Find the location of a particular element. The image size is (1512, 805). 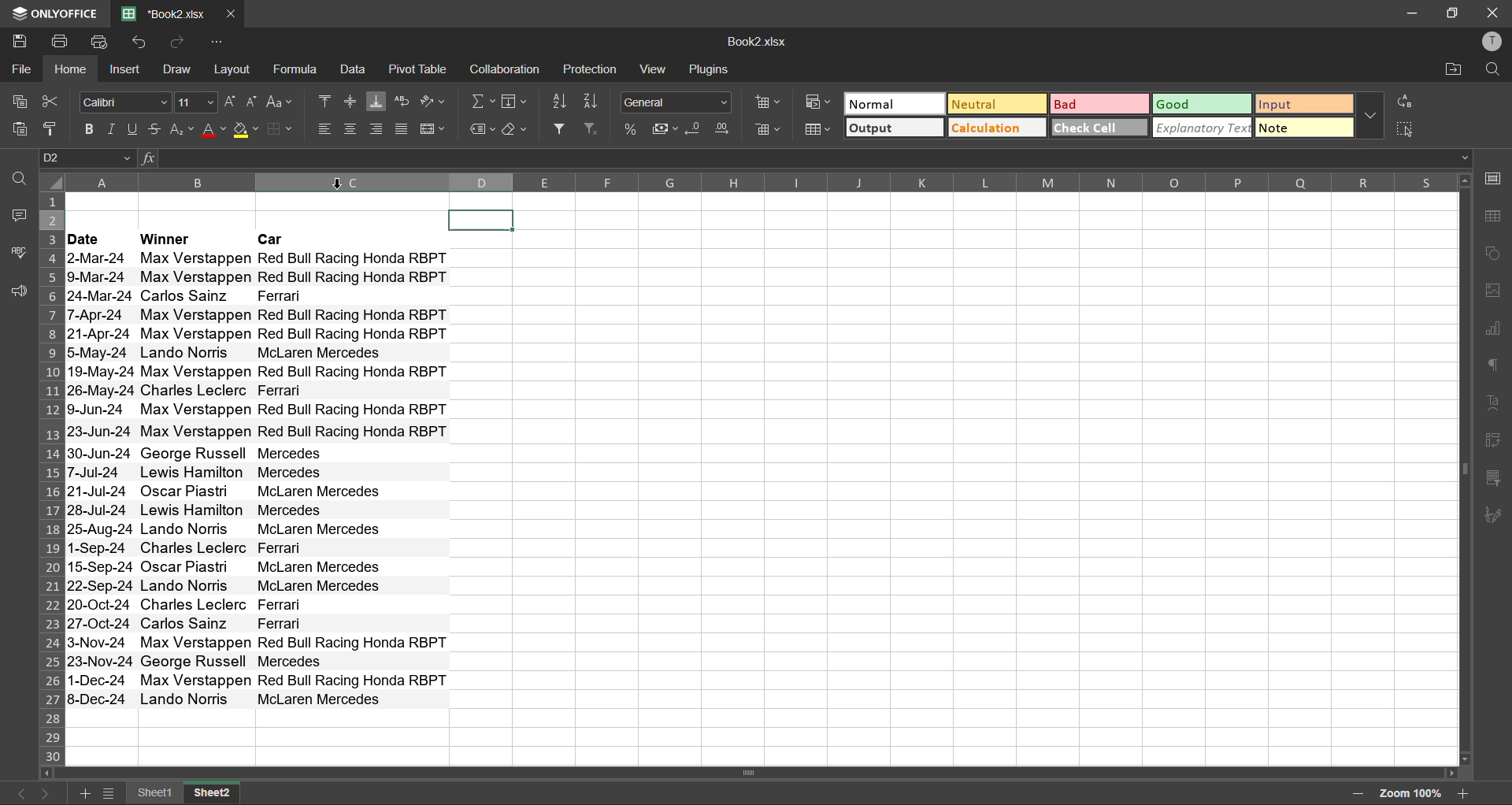

sort descending is located at coordinates (593, 102).